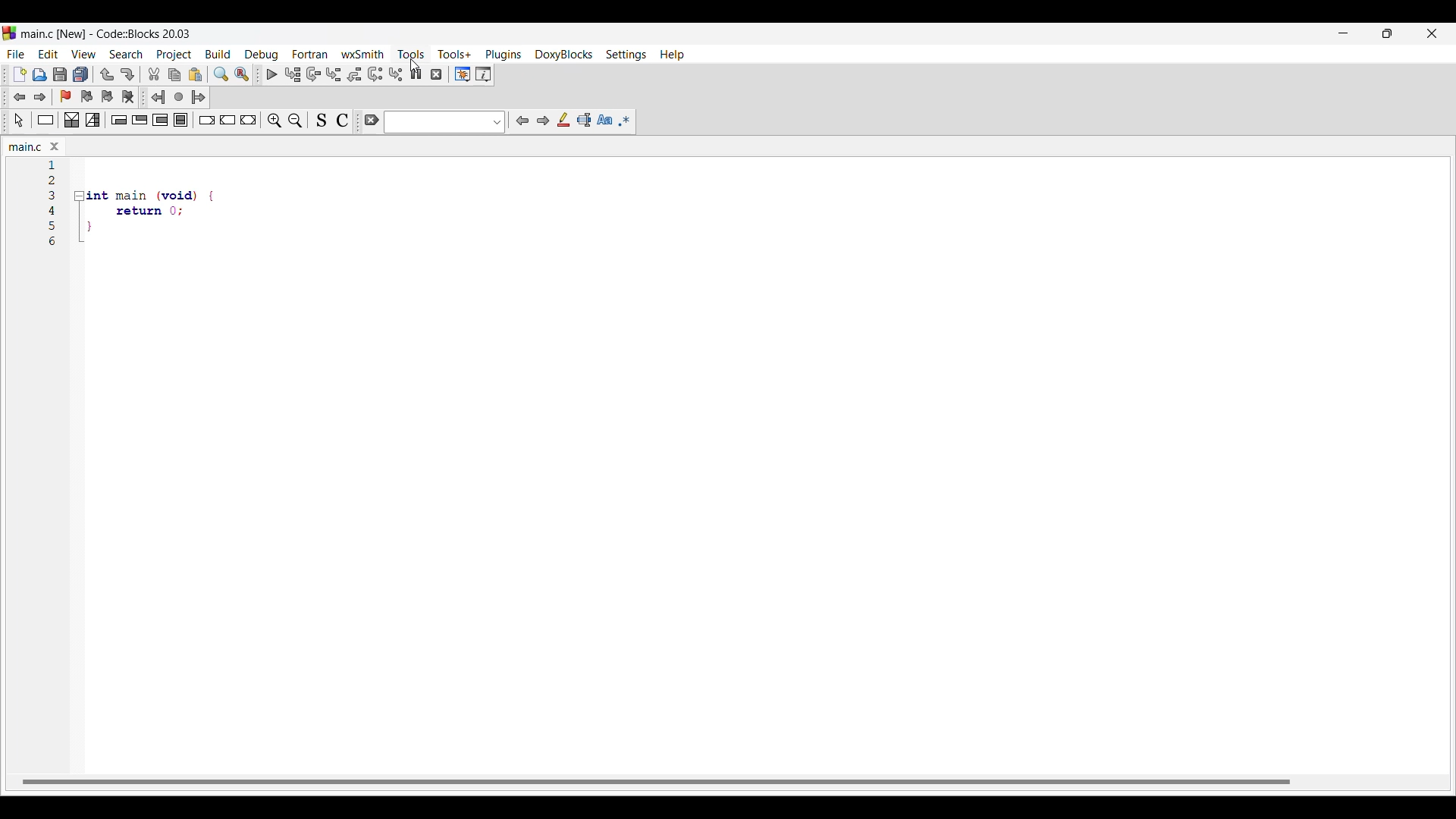 This screenshot has height=819, width=1456. What do you see at coordinates (542, 120) in the screenshot?
I see `Next` at bounding box center [542, 120].